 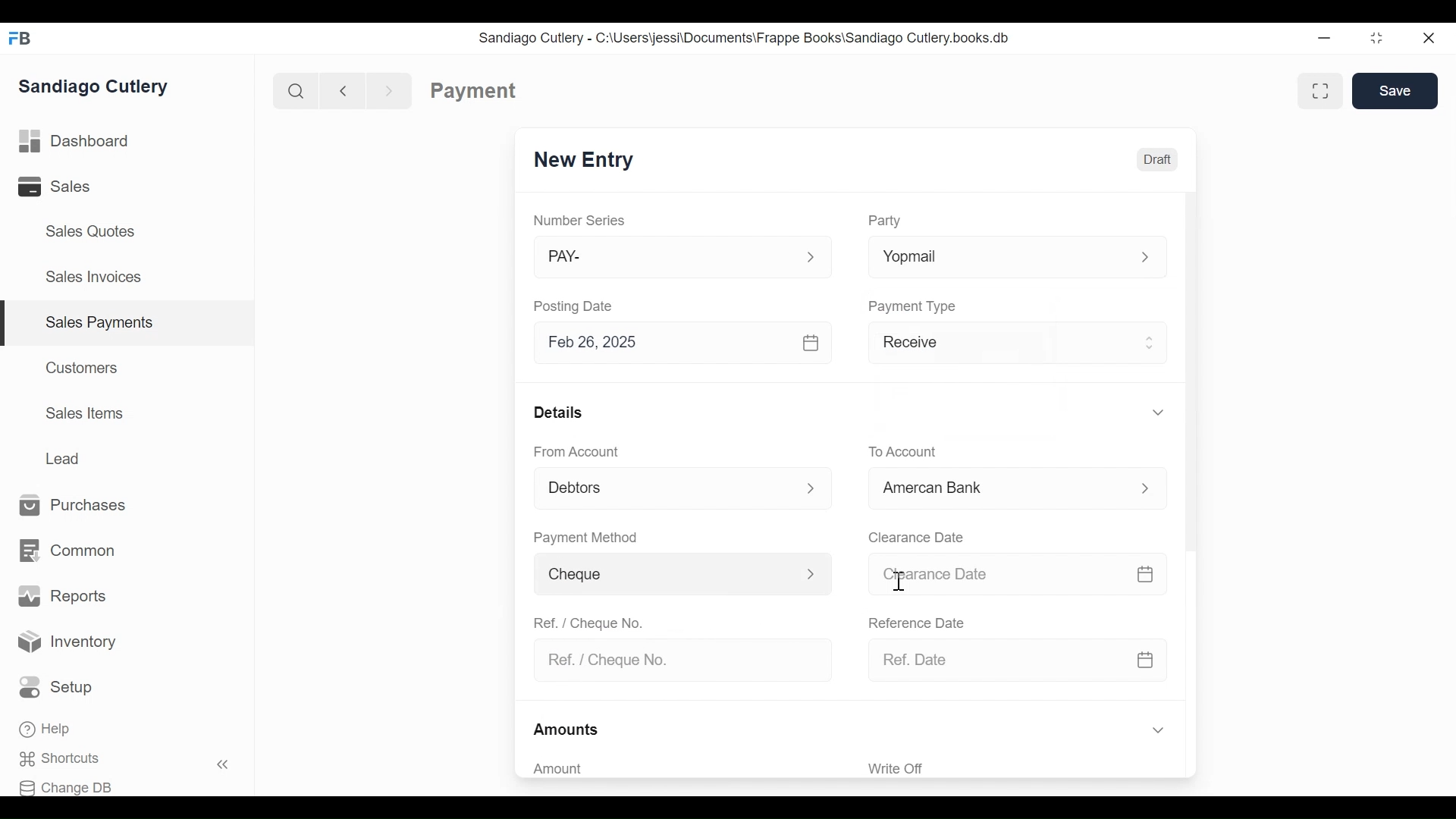 I want to click on PAY-, so click(x=666, y=259).